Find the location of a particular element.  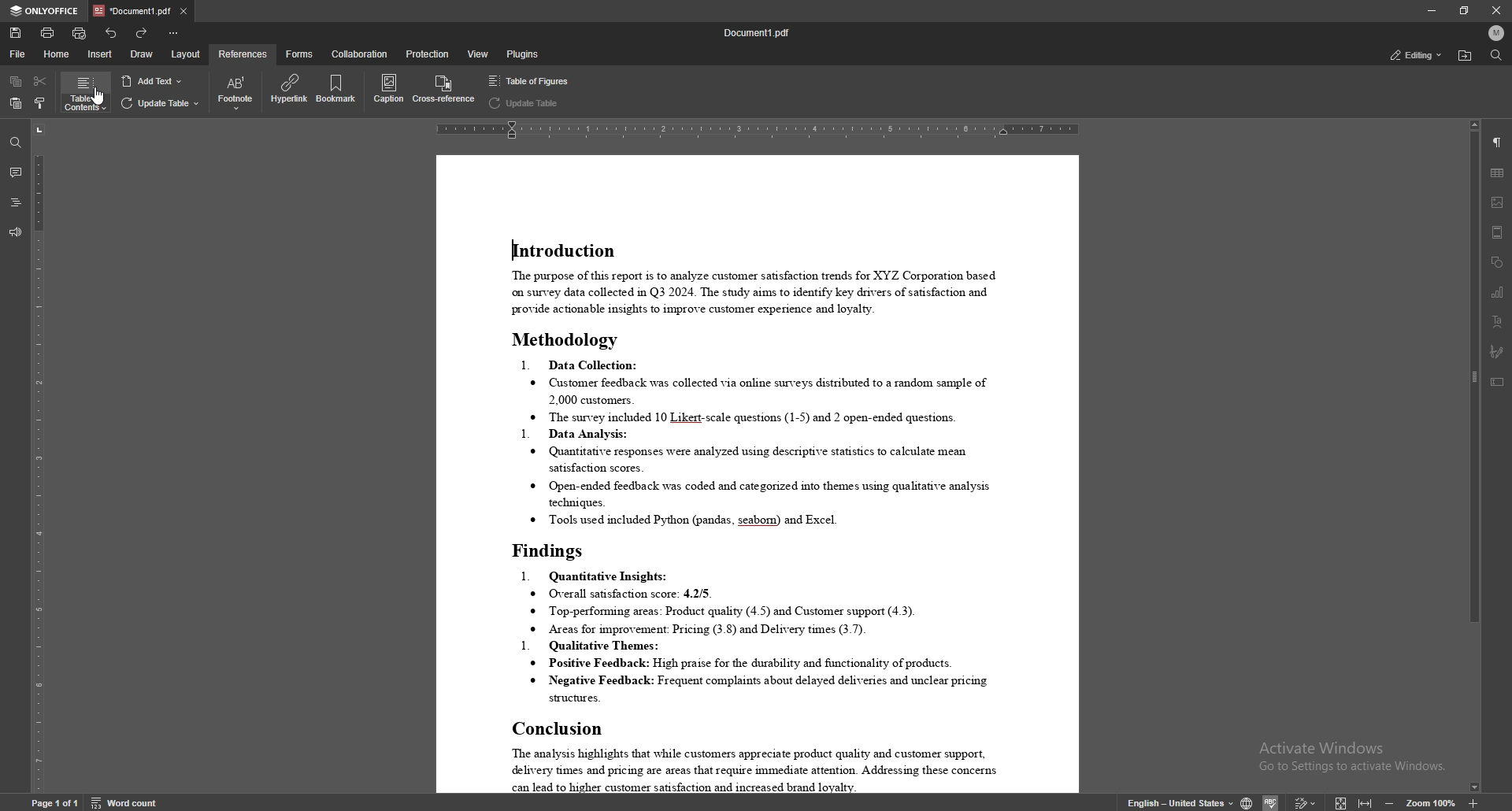

cut is located at coordinates (42, 82).